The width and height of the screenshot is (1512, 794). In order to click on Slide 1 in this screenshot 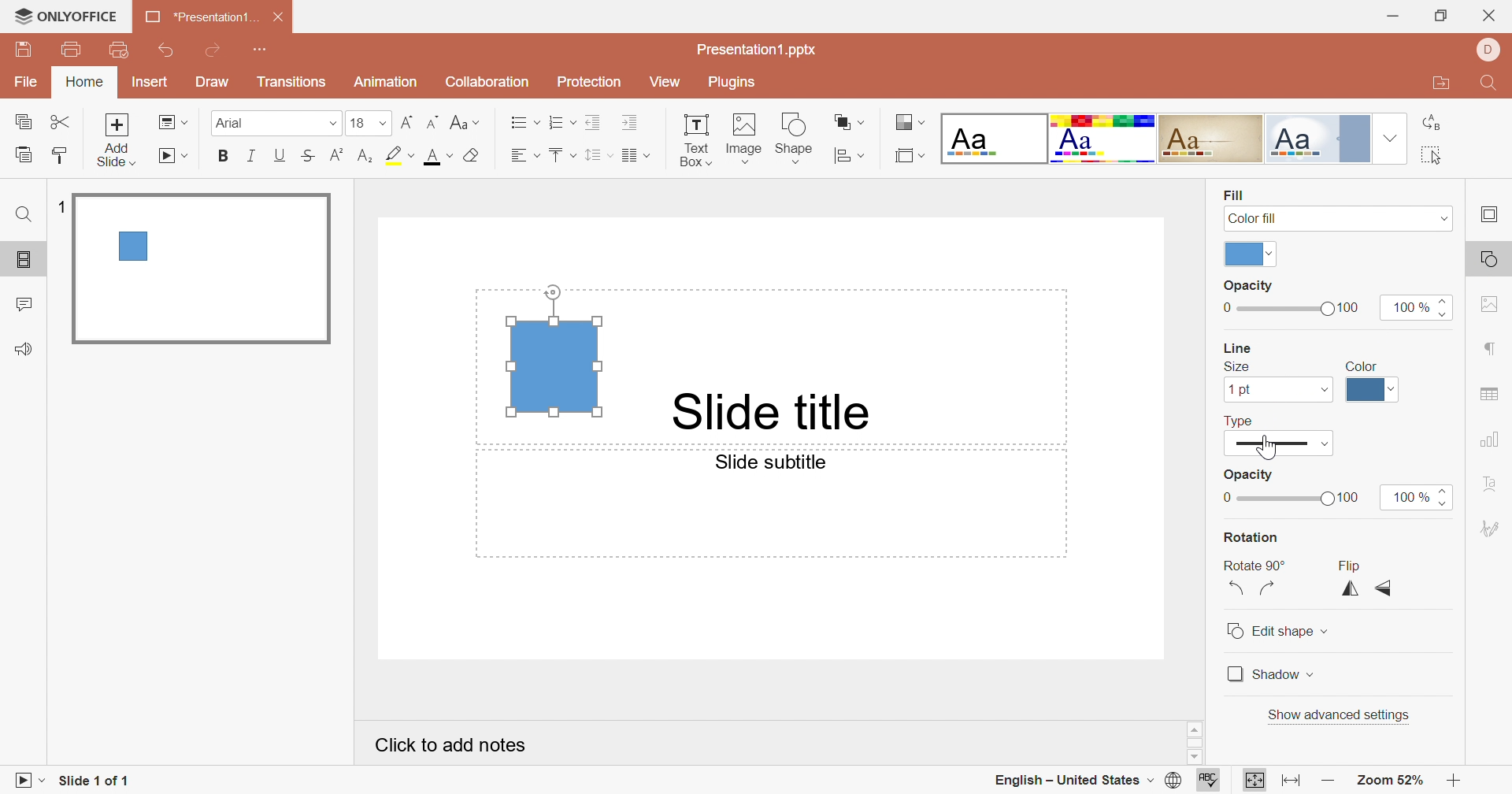, I will do `click(205, 270)`.